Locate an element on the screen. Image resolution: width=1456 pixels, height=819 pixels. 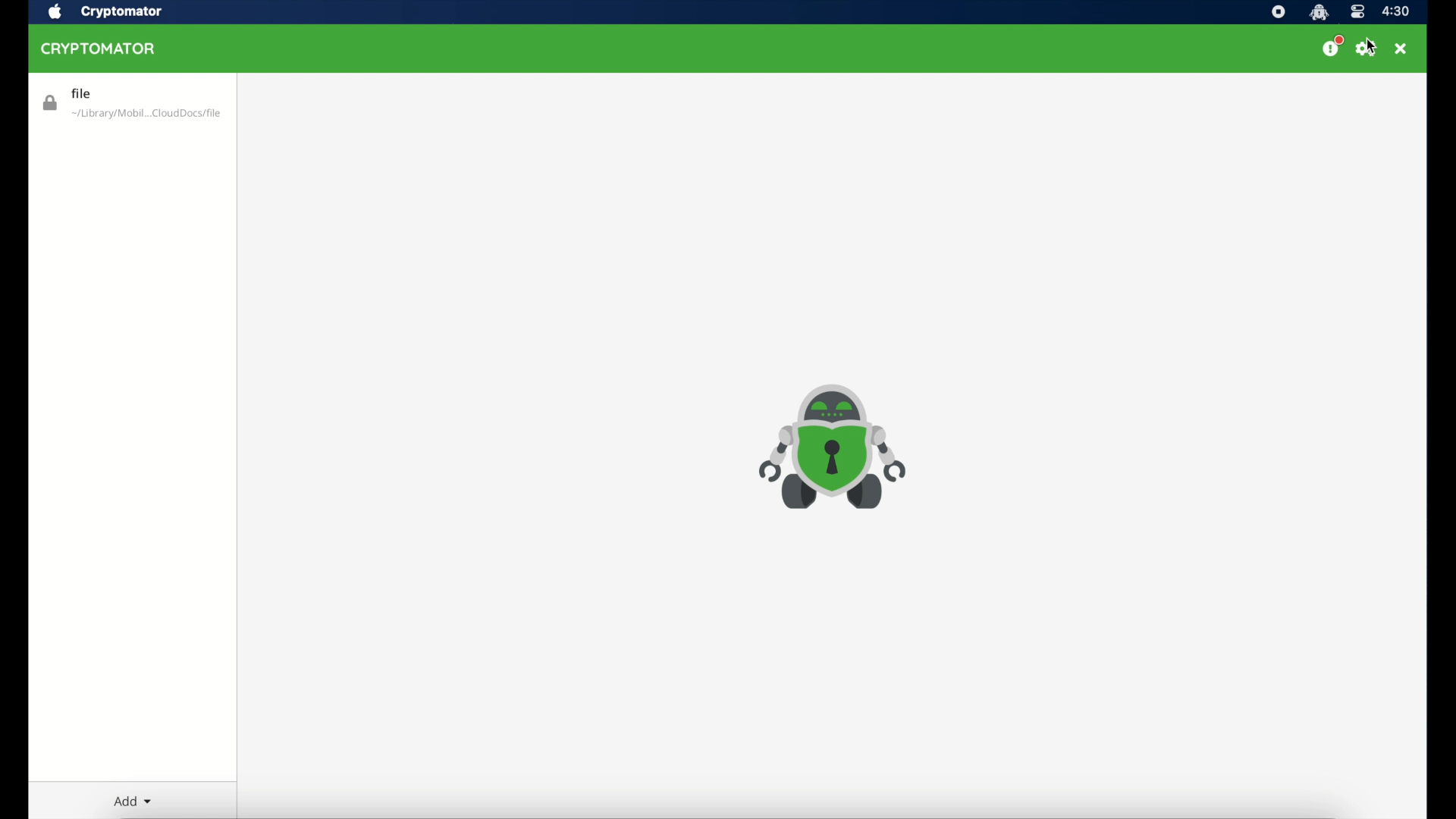
cryptomator icon is located at coordinates (1319, 12).